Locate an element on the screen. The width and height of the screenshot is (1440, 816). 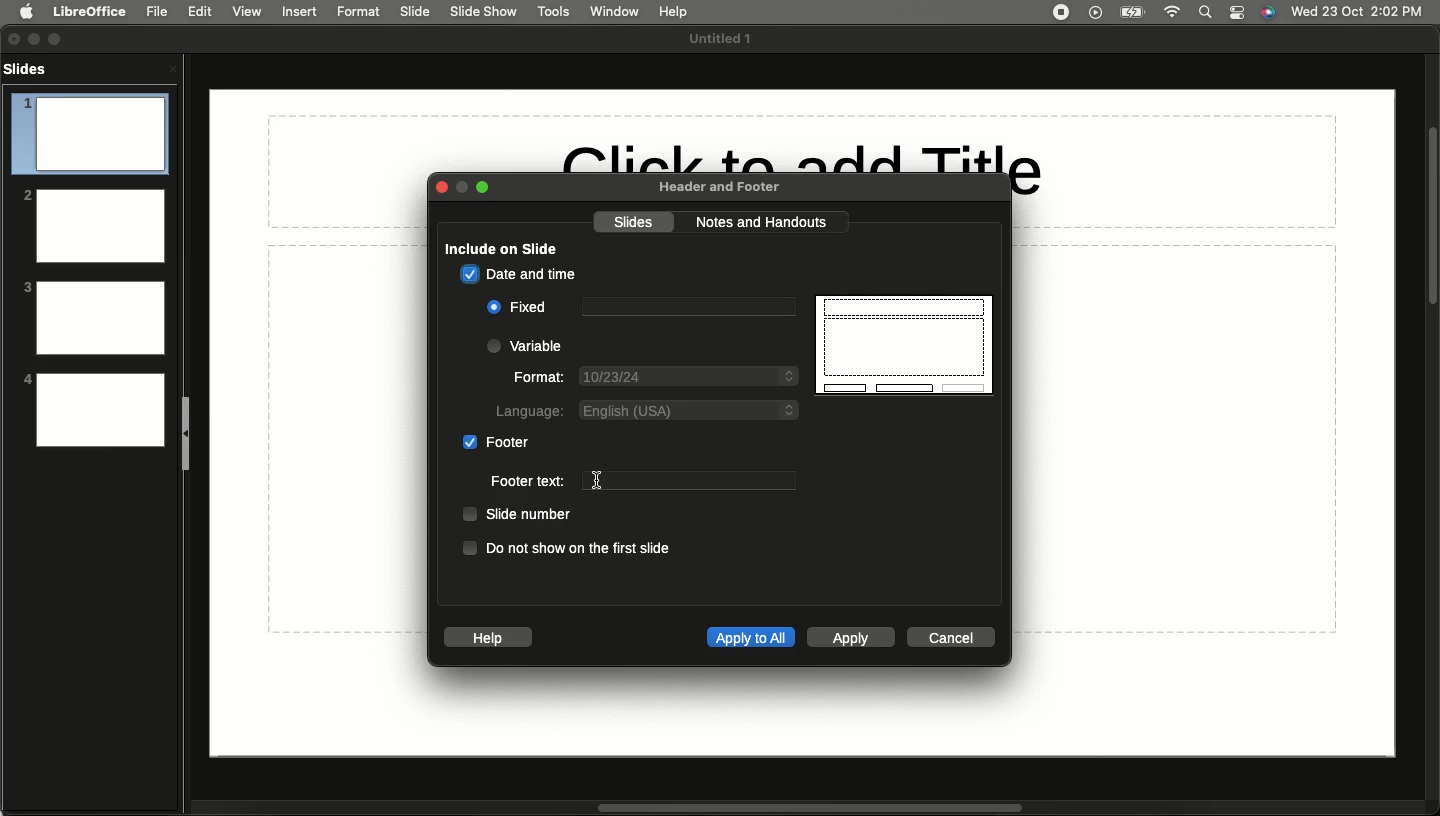
Apply to all is located at coordinates (750, 636).